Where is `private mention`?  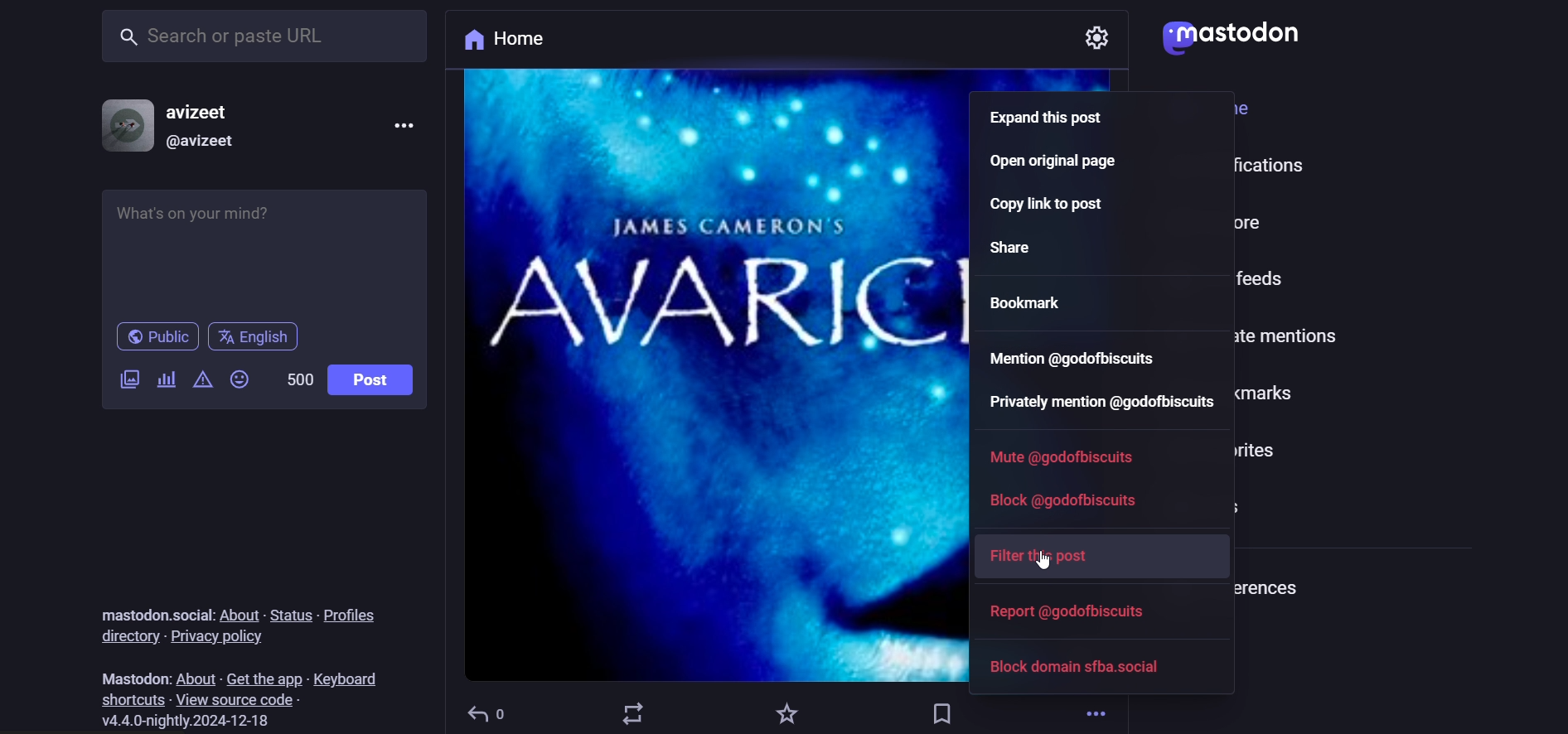 private mention is located at coordinates (1116, 403).